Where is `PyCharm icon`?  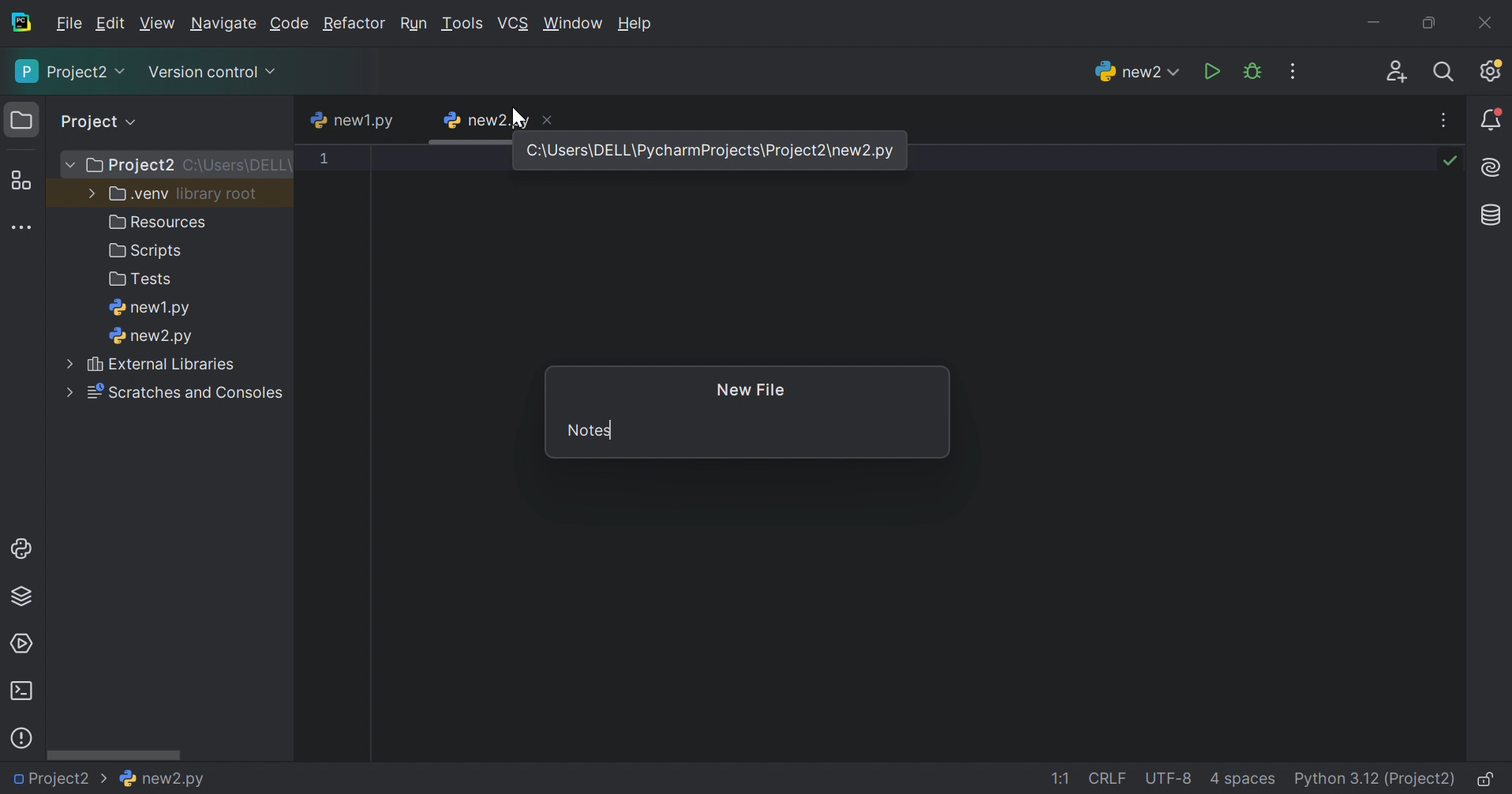 PyCharm icon is located at coordinates (24, 23).